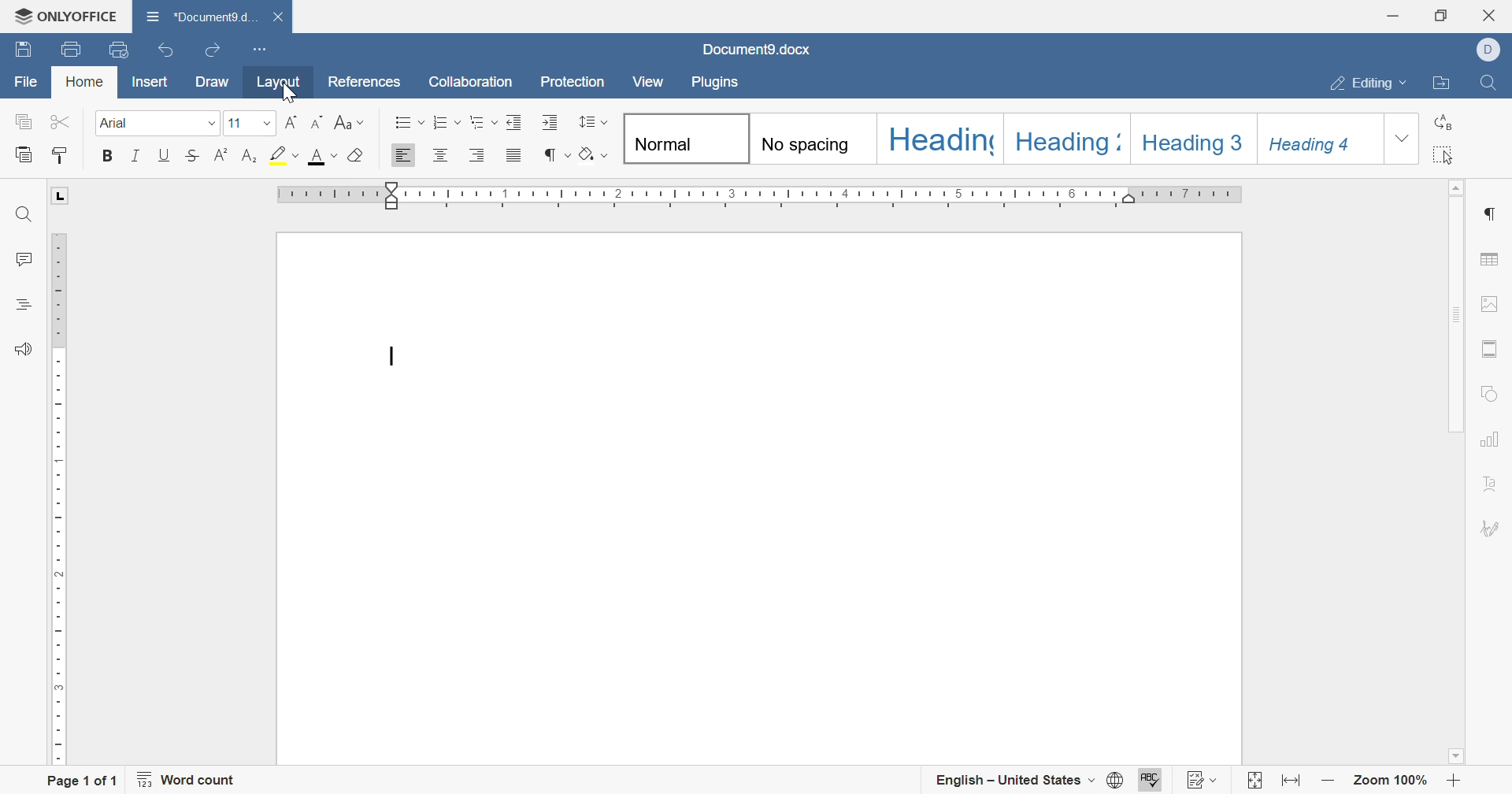 The width and height of the screenshot is (1512, 794). What do you see at coordinates (293, 125) in the screenshot?
I see `increment font size` at bounding box center [293, 125].